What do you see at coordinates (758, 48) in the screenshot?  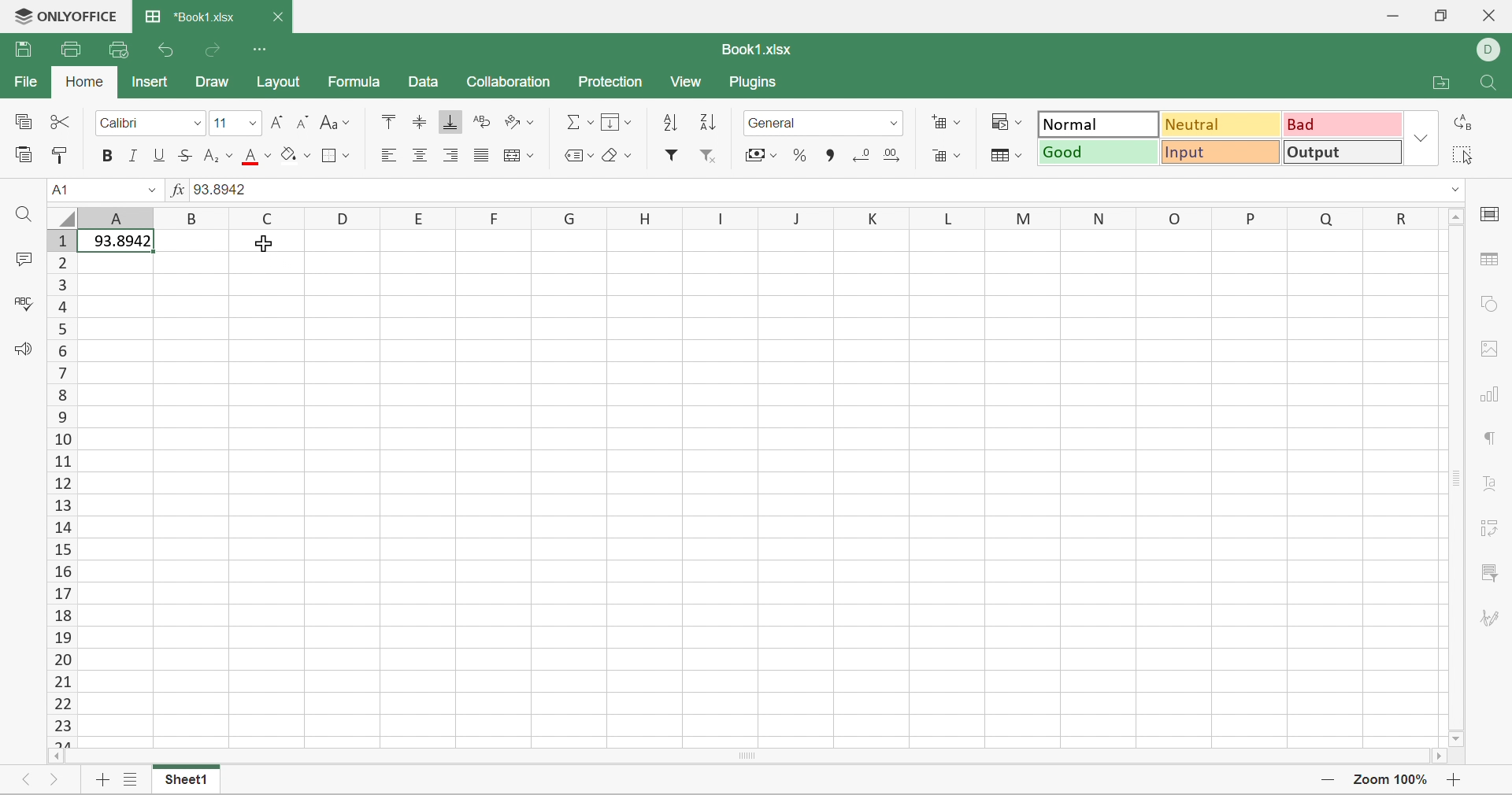 I see `Book1.xlsx` at bounding box center [758, 48].